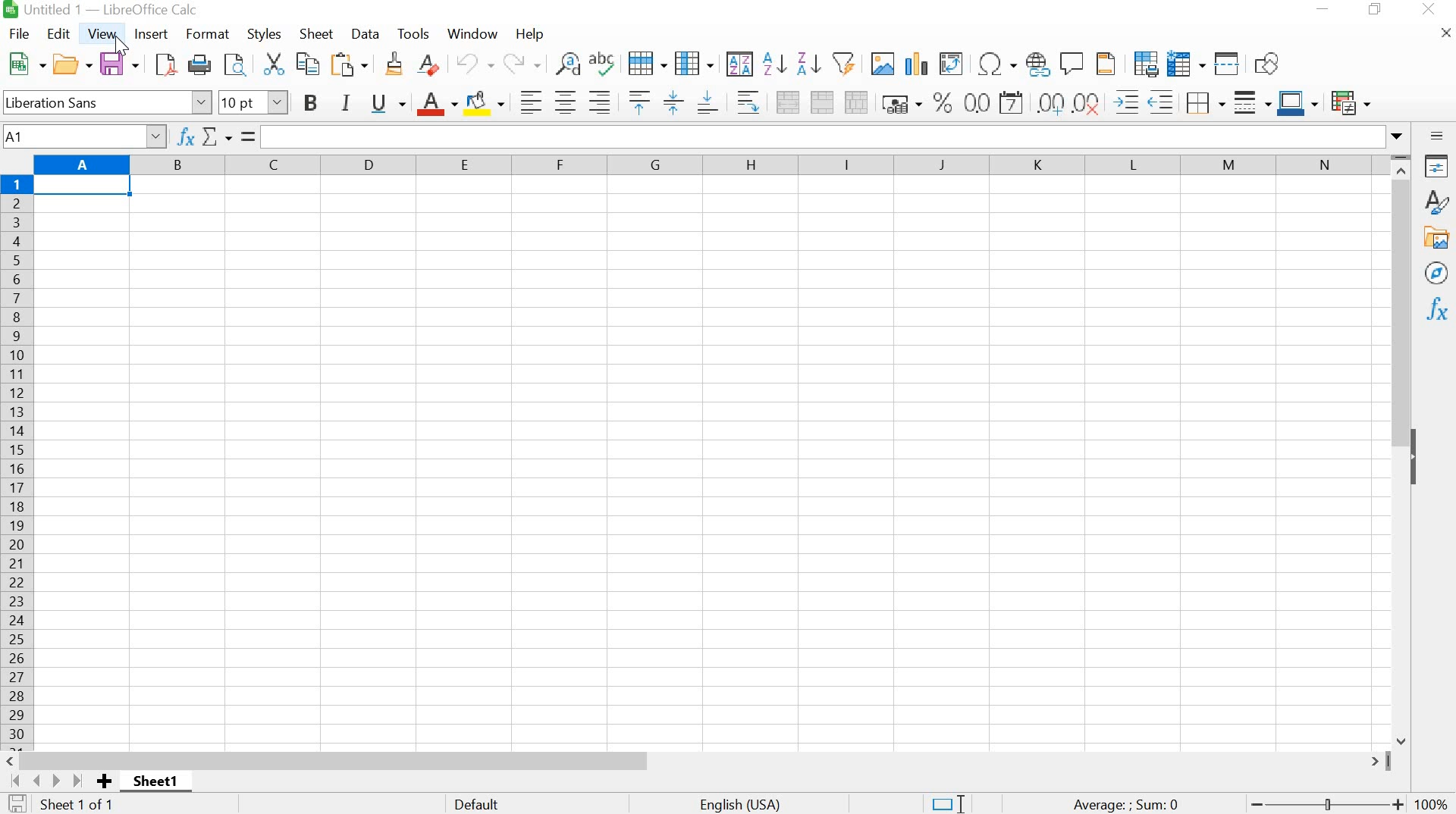  I want to click on INPUT LINE, so click(836, 136).